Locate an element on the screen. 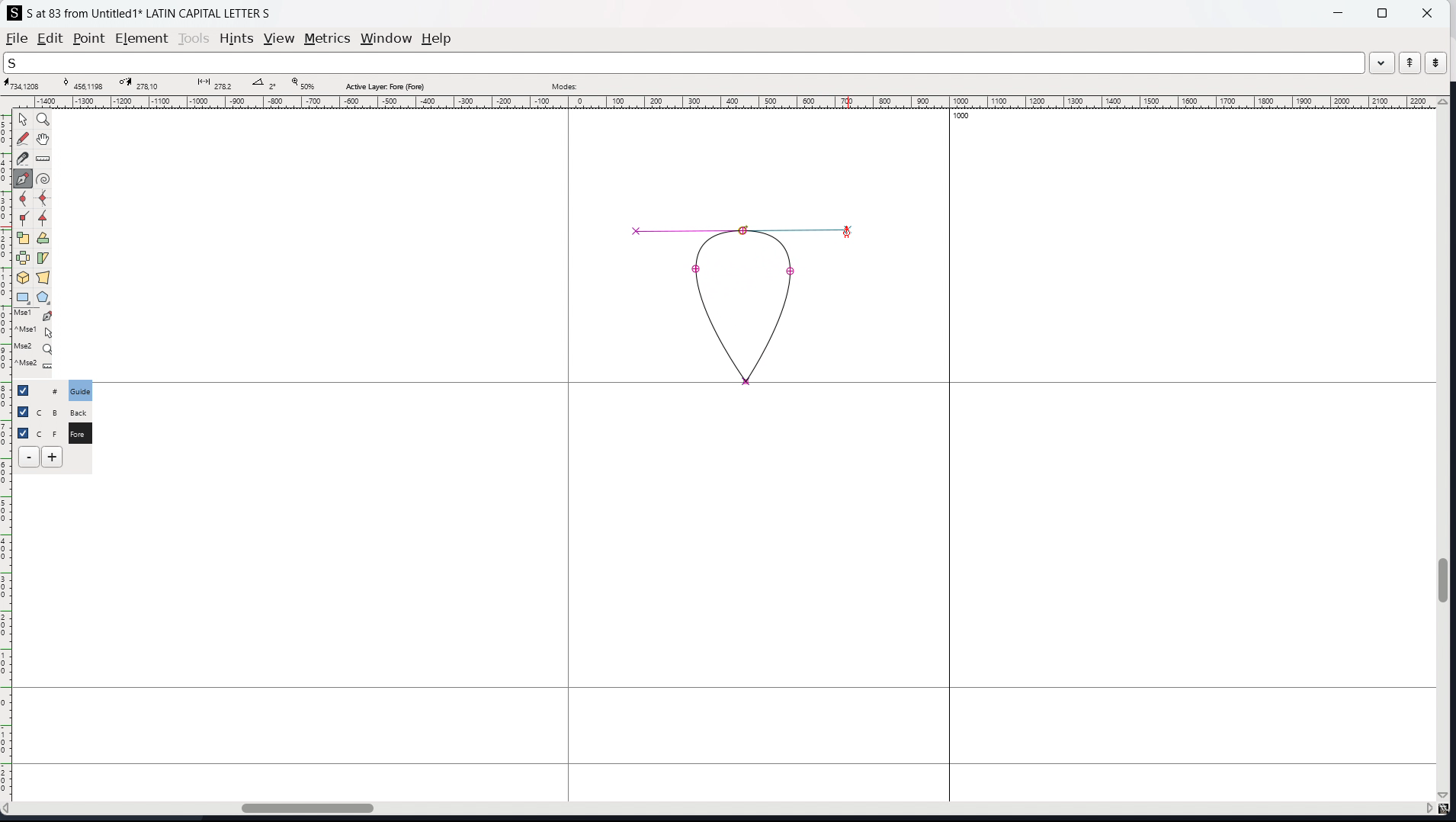 The image size is (1456, 822). delete layer is located at coordinates (29, 458).